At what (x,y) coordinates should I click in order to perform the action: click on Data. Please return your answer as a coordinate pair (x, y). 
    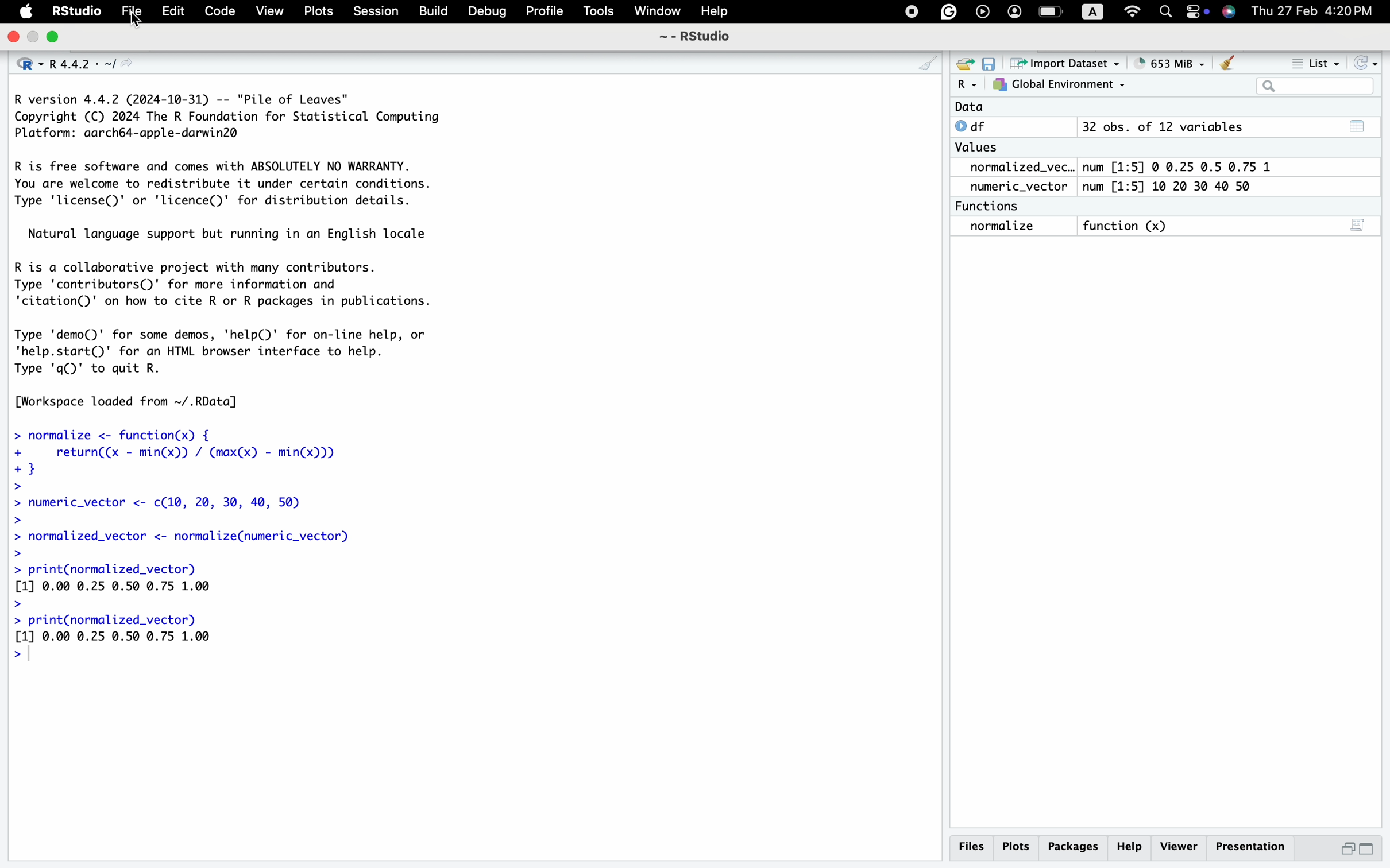
    Looking at the image, I should click on (970, 107).